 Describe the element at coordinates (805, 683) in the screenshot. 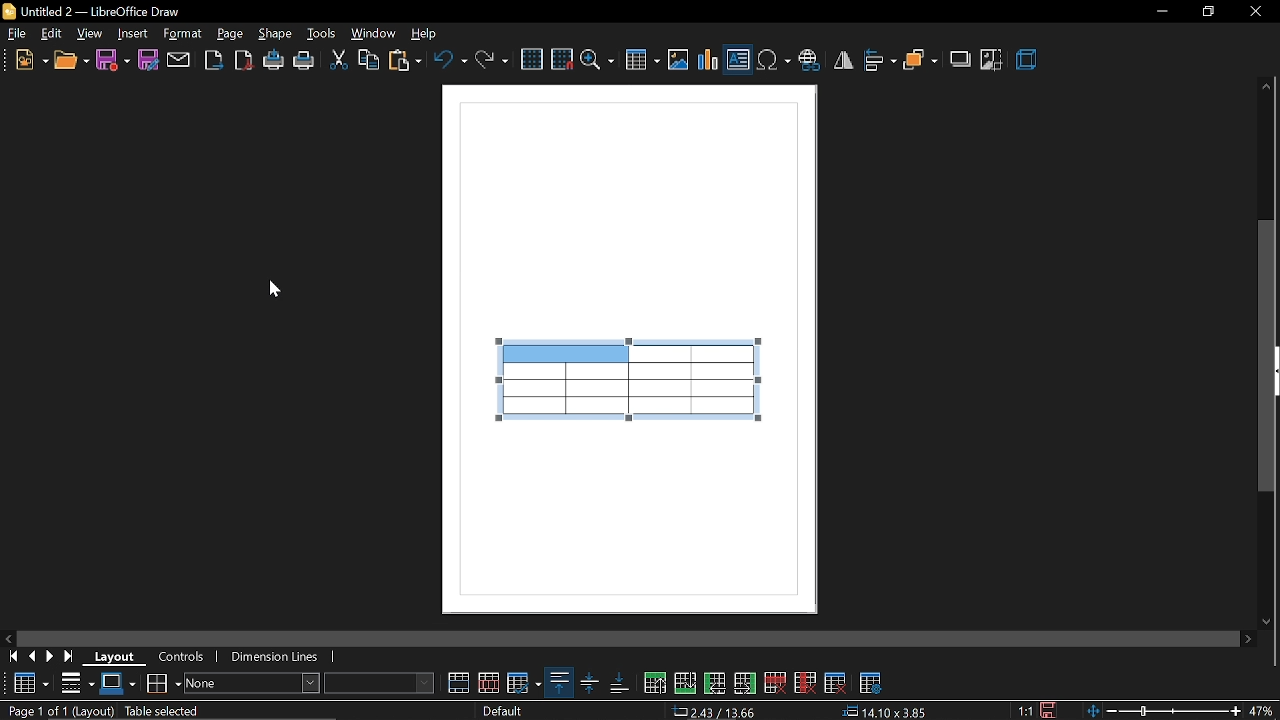

I see `delete column` at that location.